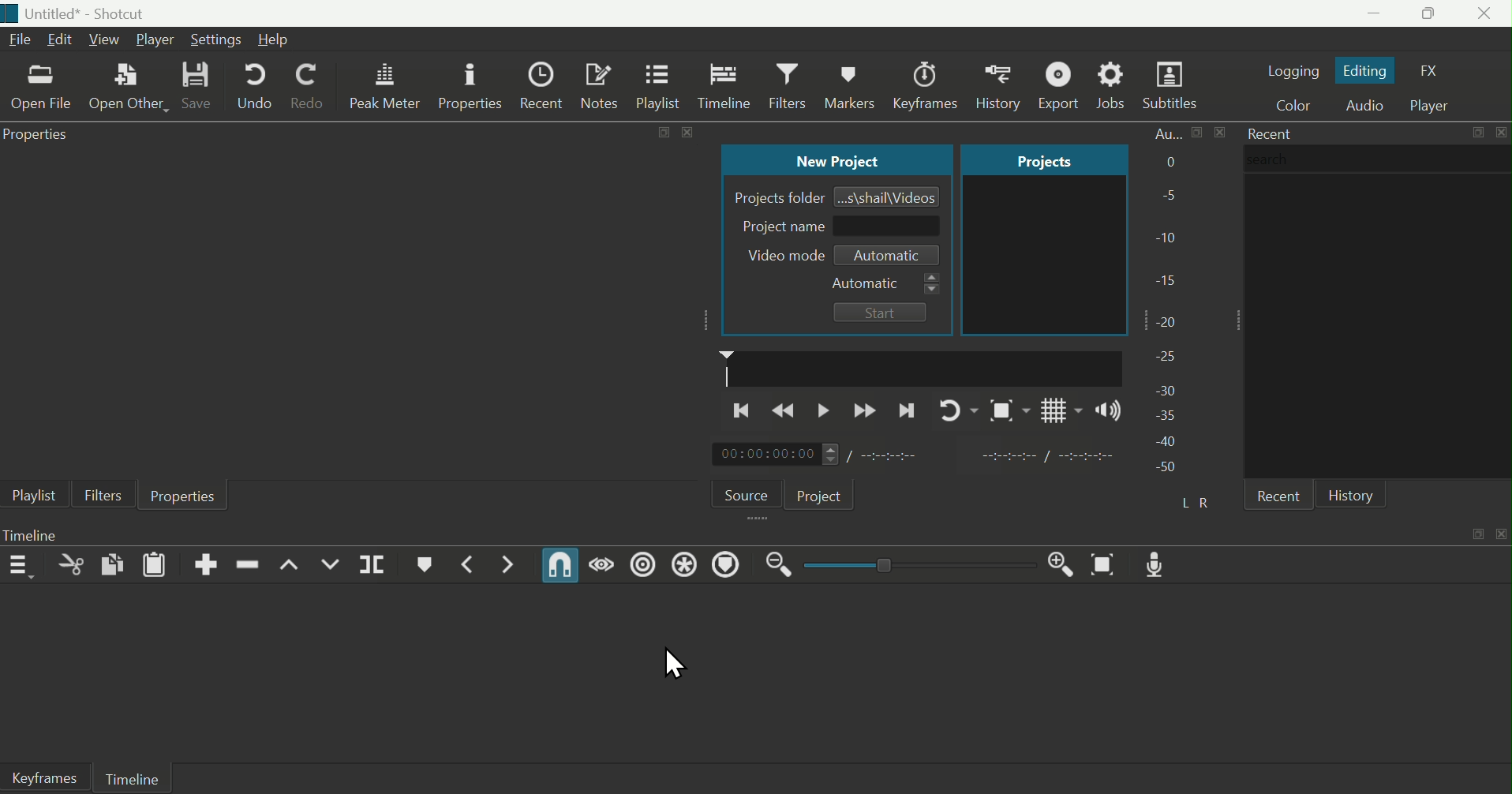 This screenshot has height=794, width=1512. Describe the element at coordinates (111, 566) in the screenshot. I see `Copy` at that location.